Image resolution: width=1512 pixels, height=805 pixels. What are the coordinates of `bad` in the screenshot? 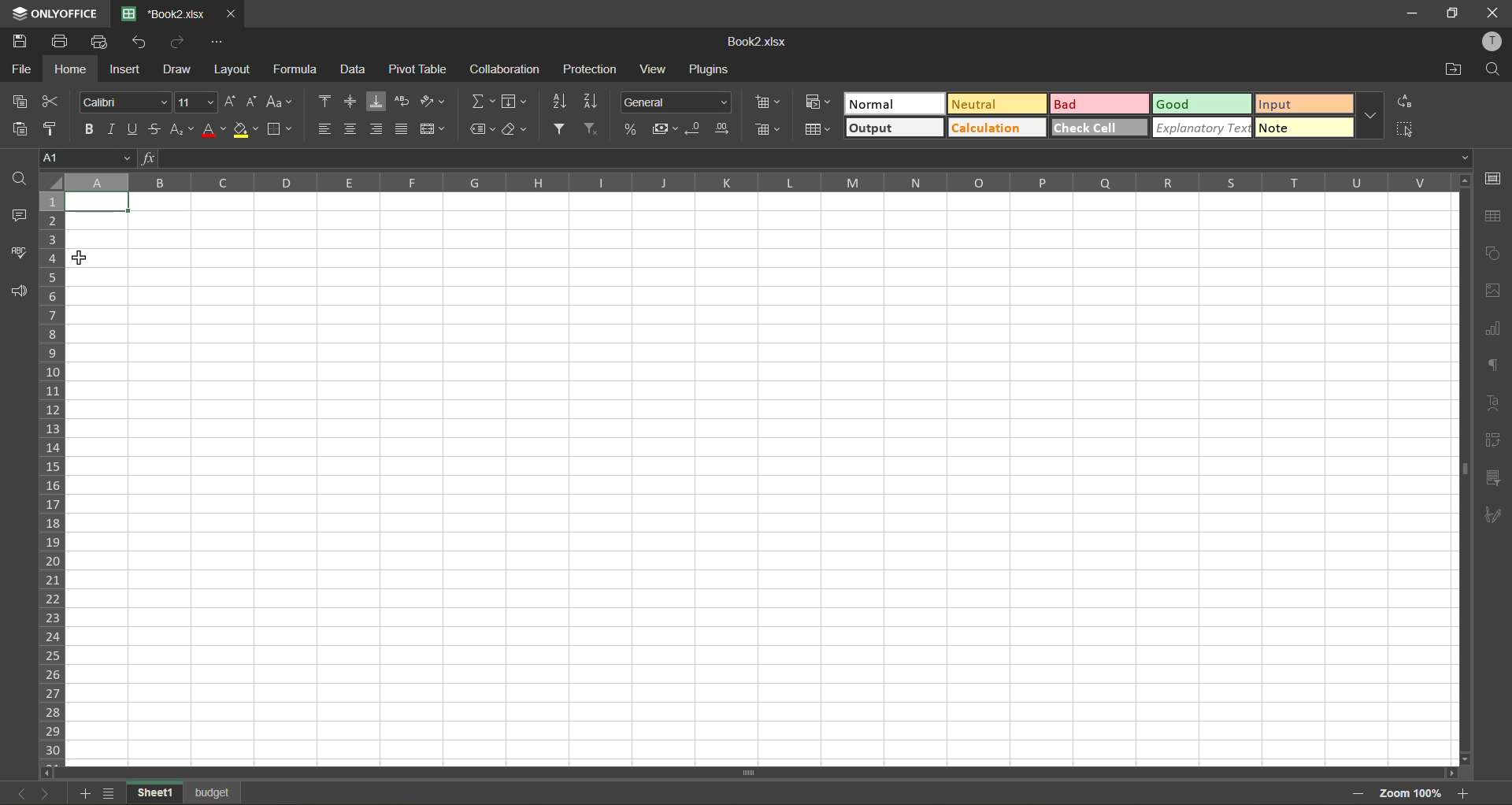 It's located at (1099, 103).